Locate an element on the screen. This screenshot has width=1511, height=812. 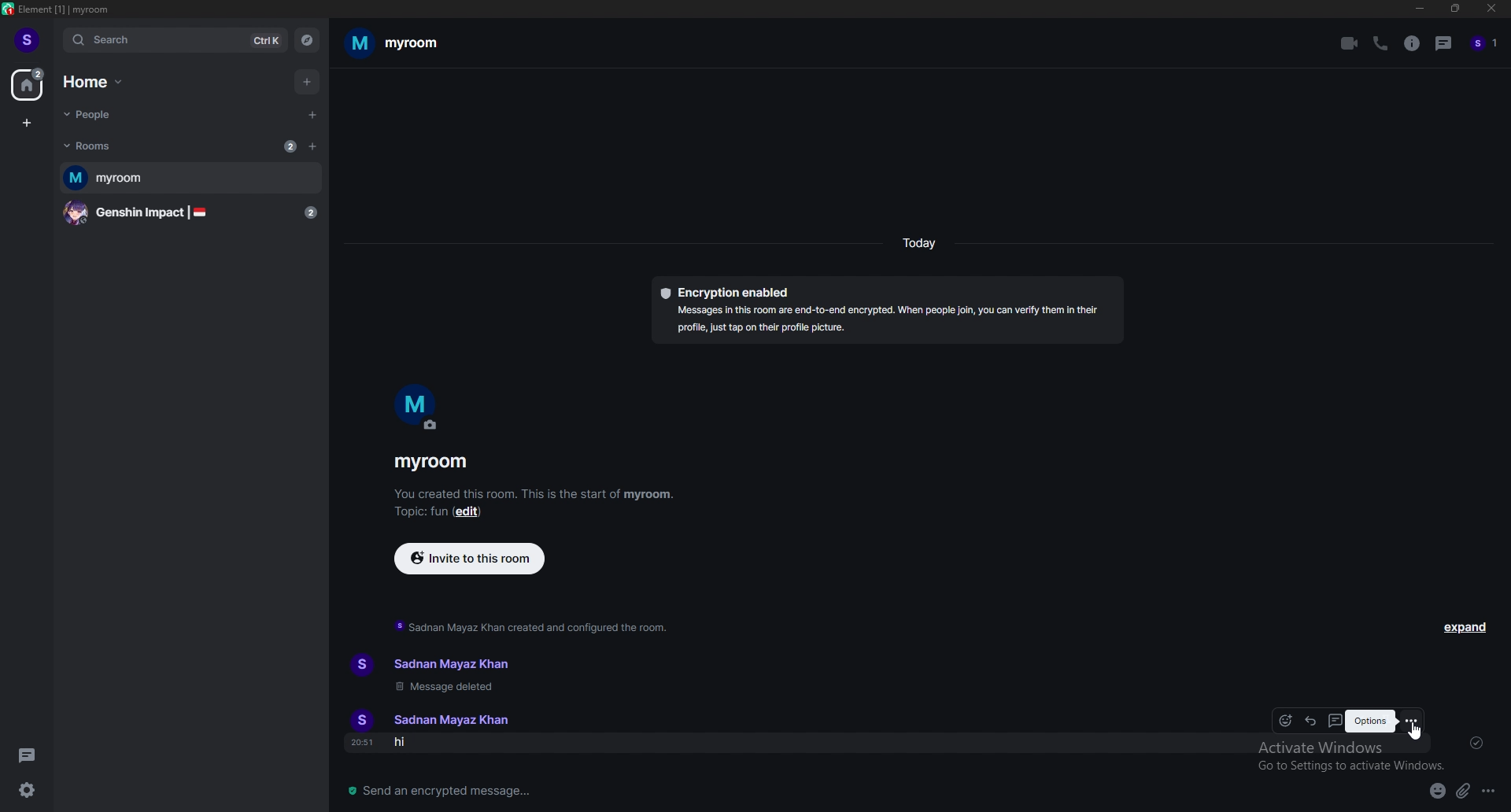
start chat is located at coordinates (311, 115).